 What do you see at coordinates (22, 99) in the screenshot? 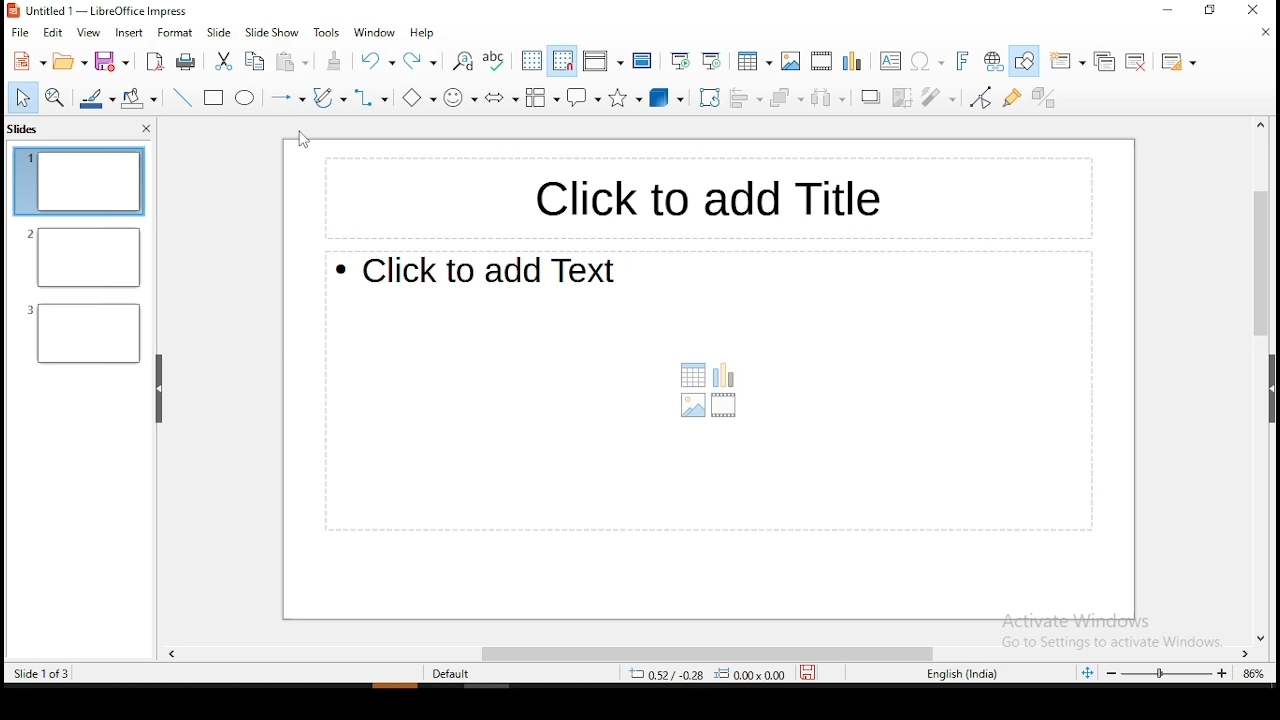
I see `select tool` at bounding box center [22, 99].